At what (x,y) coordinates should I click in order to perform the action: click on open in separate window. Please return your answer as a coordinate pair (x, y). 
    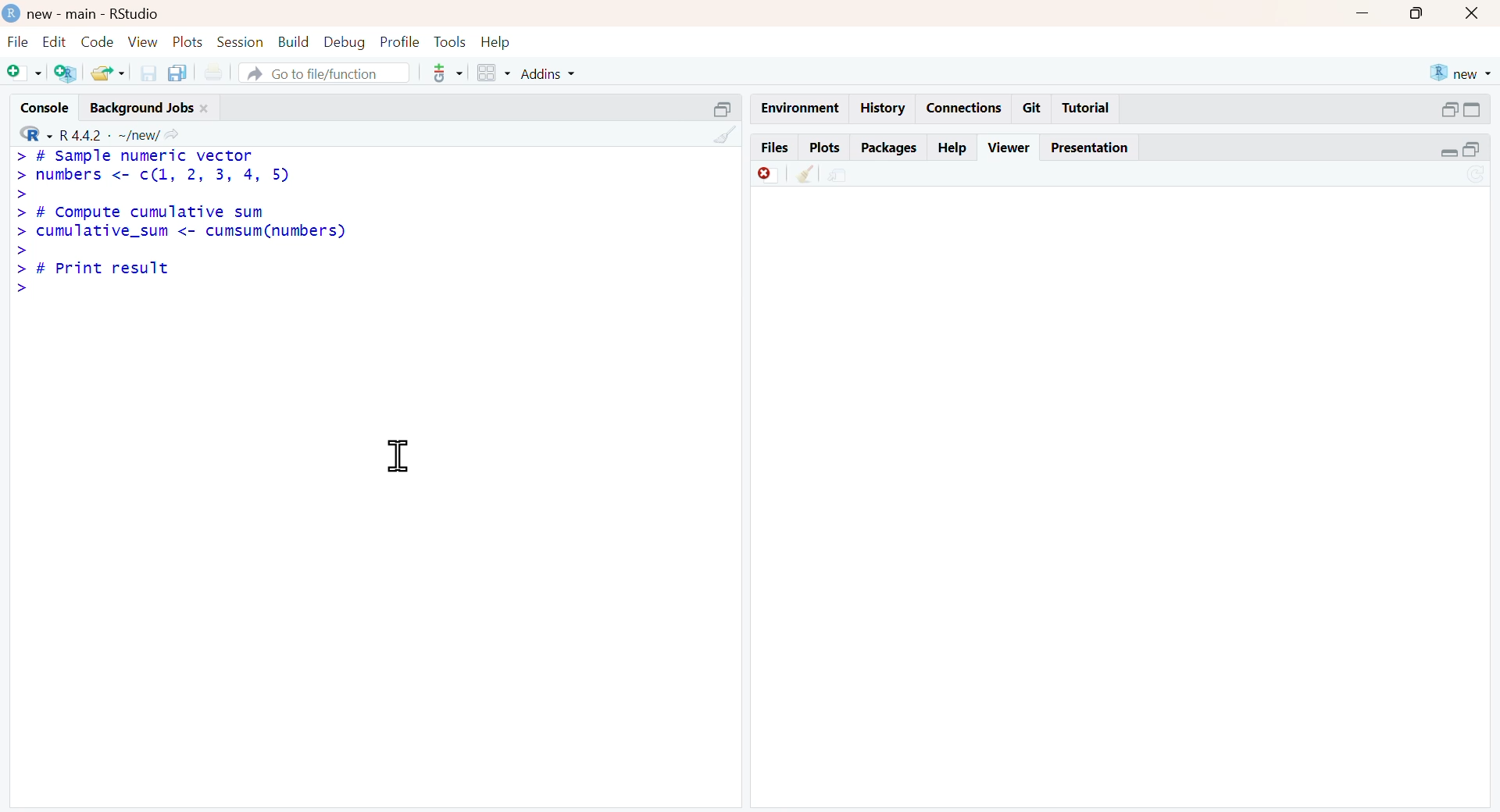
    Looking at the image, I should click on (1471, 150).